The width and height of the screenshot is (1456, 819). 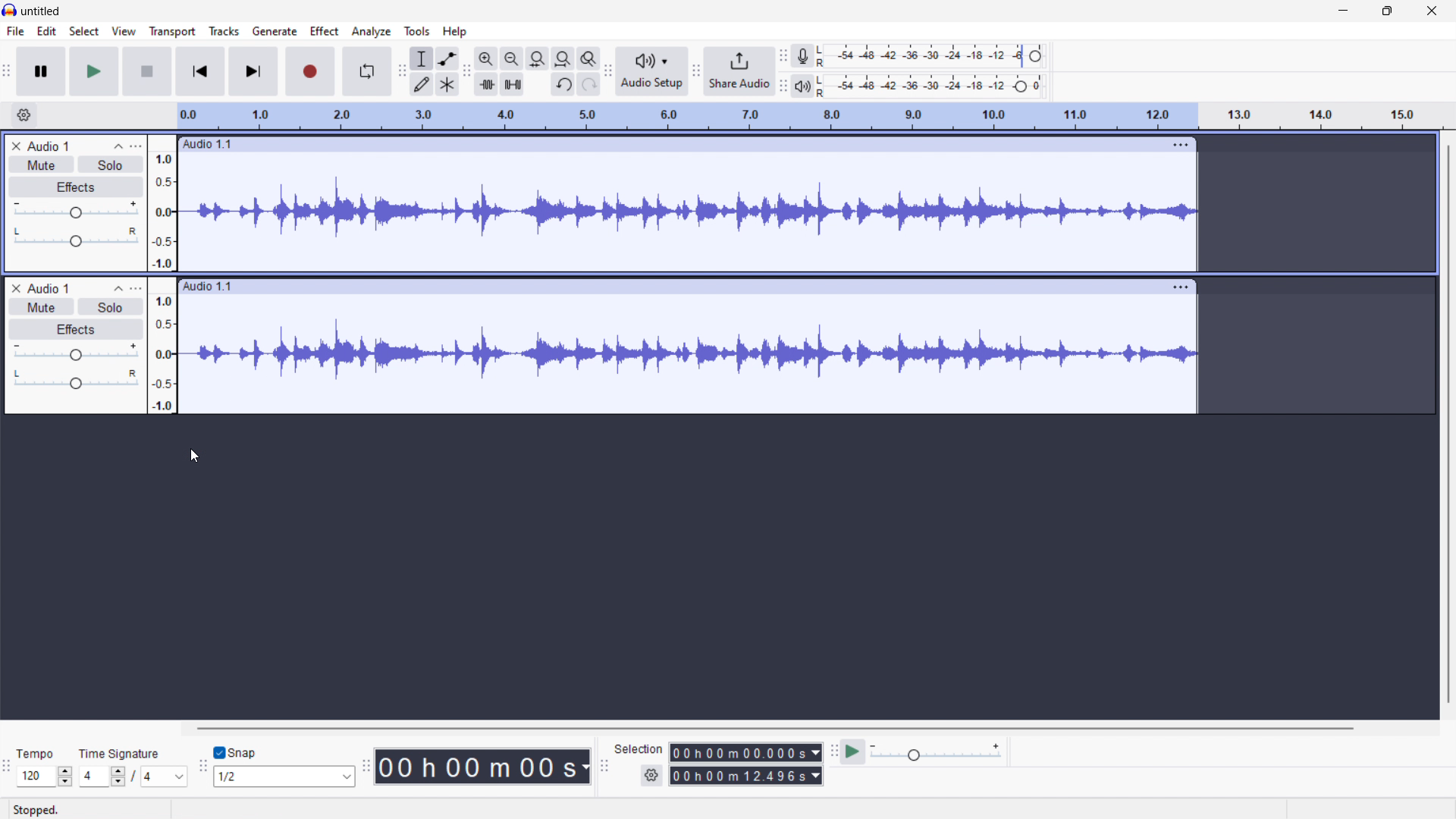 I want to click on 4, so click(x=90, y=777).